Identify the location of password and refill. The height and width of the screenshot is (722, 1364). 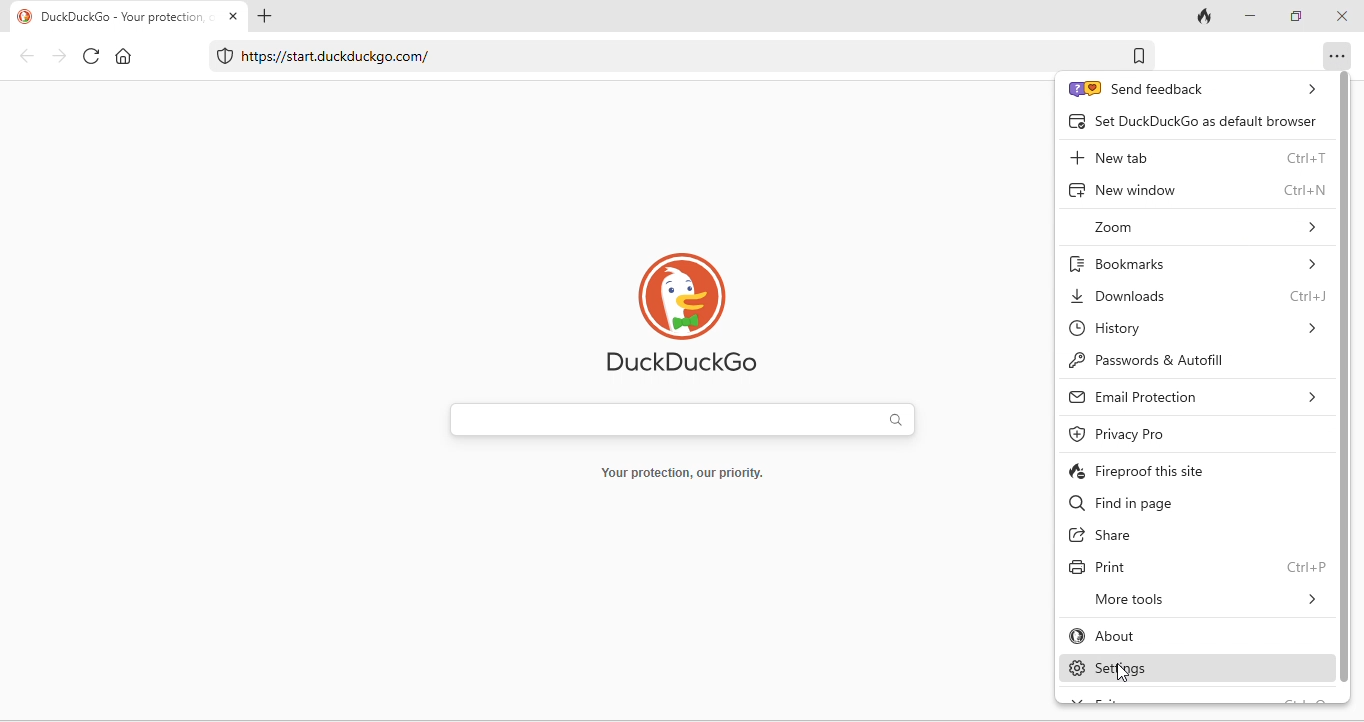
(1176, 359).